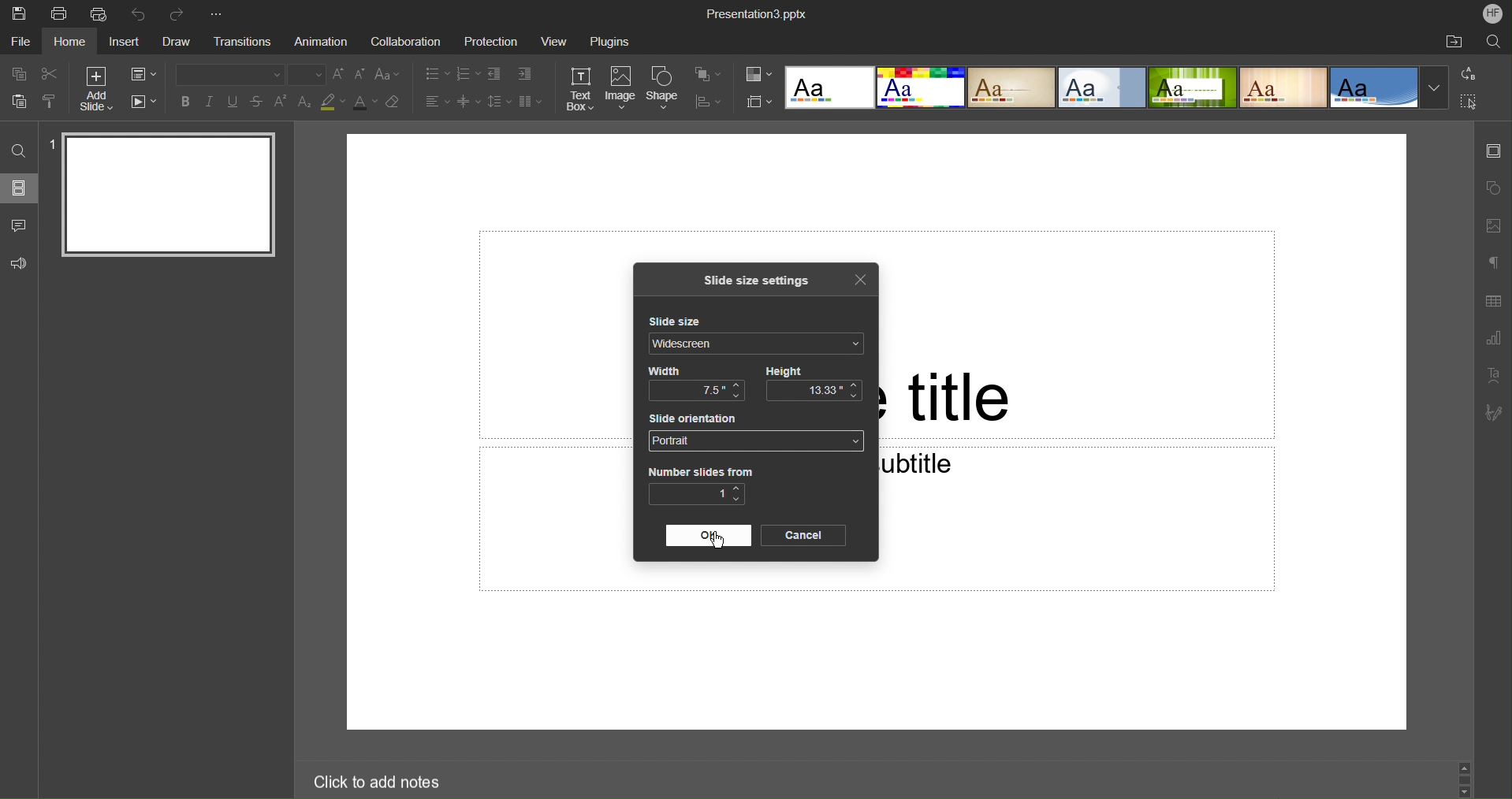 Image resolution: width=1512 pixels, height=799 pixels. Describe the element at coordinates (698, 495) in the screenshot. I see `1` at that location.